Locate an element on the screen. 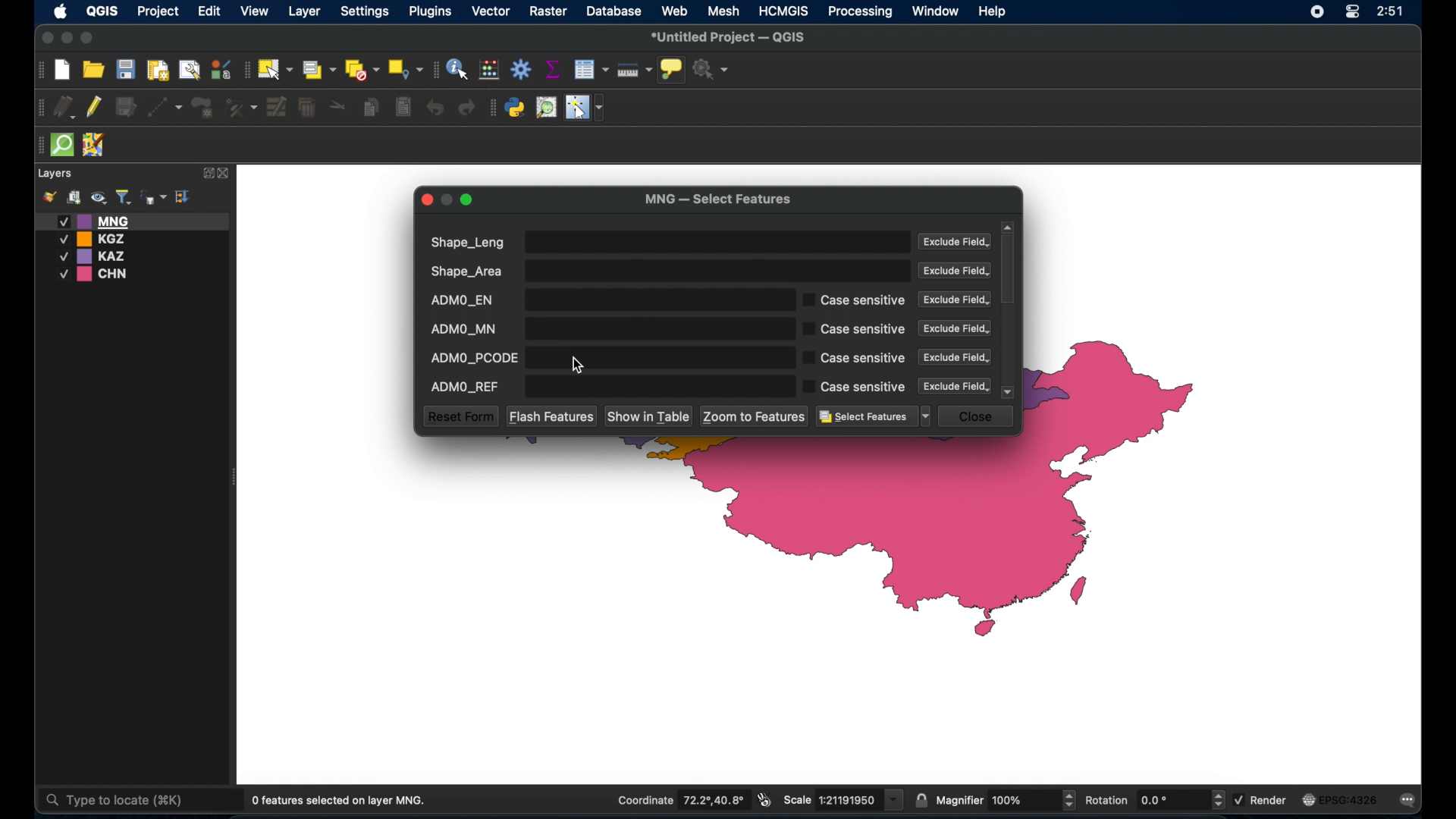 The height and width of the screenshot is (819, 1456). redo is located at coordinates (469, 108).